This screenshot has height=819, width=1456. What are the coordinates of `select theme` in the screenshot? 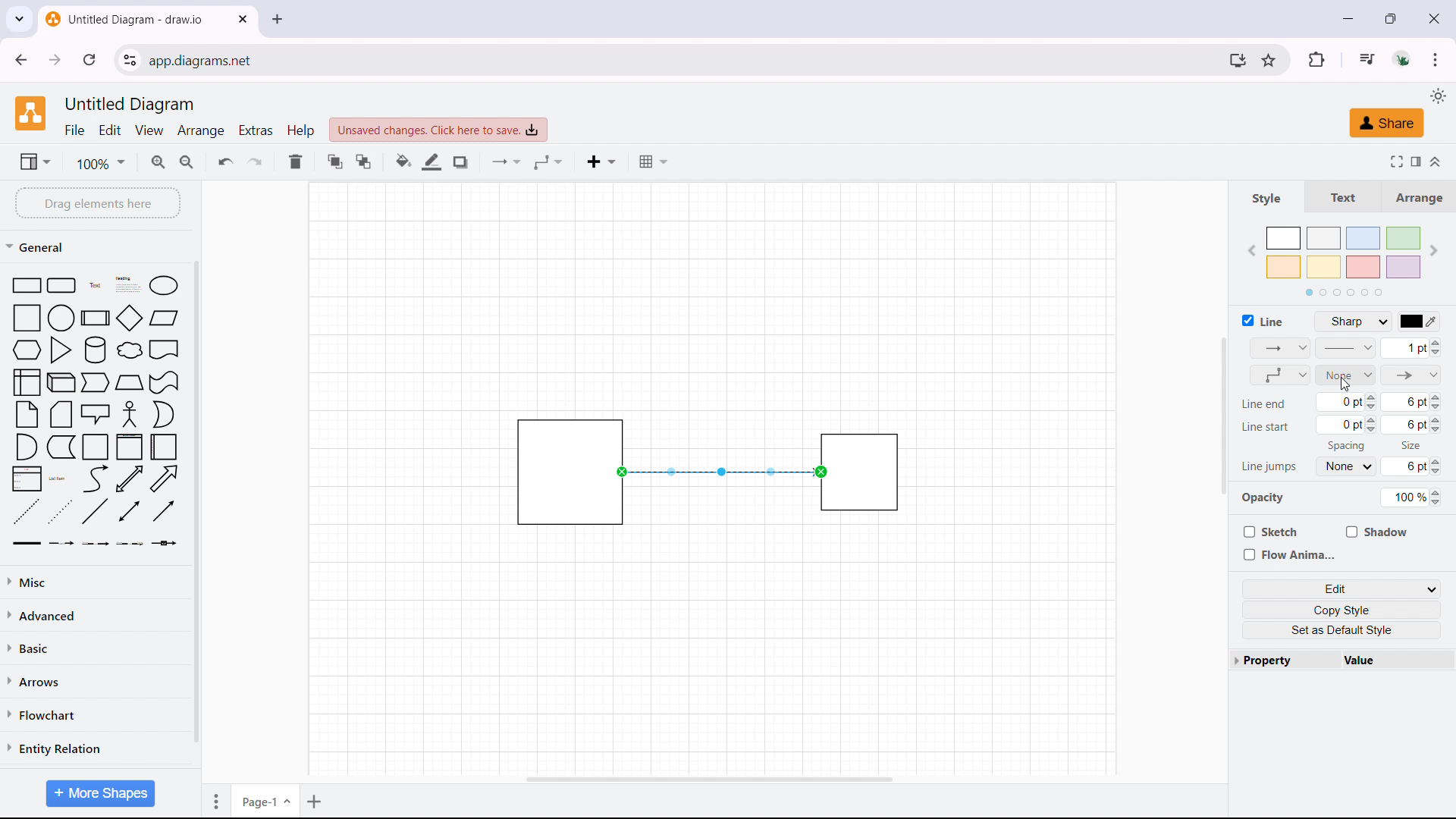 It's located at (1437, 96).